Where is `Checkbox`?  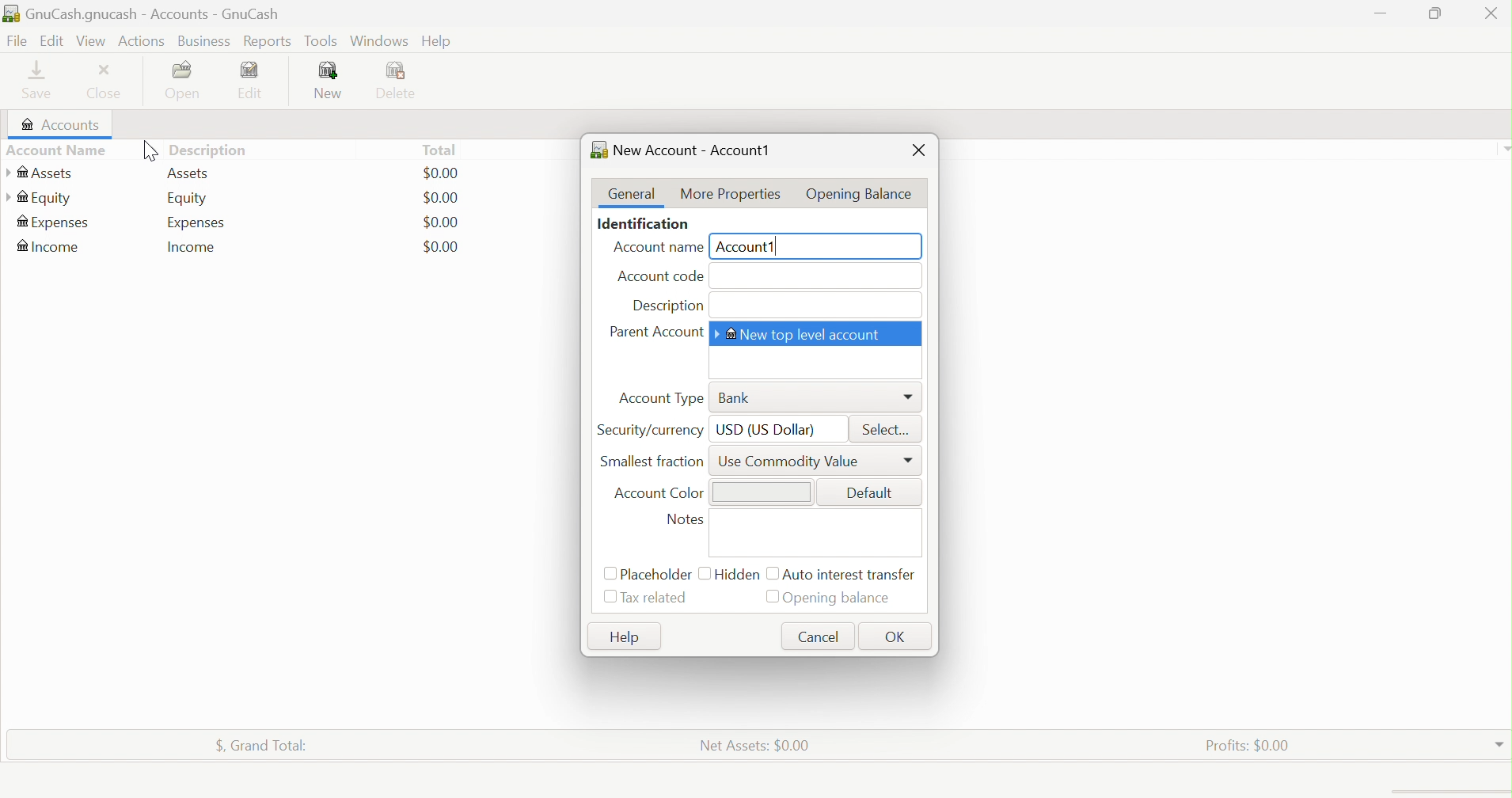 Checkbox is located at coordinates (610, 598).